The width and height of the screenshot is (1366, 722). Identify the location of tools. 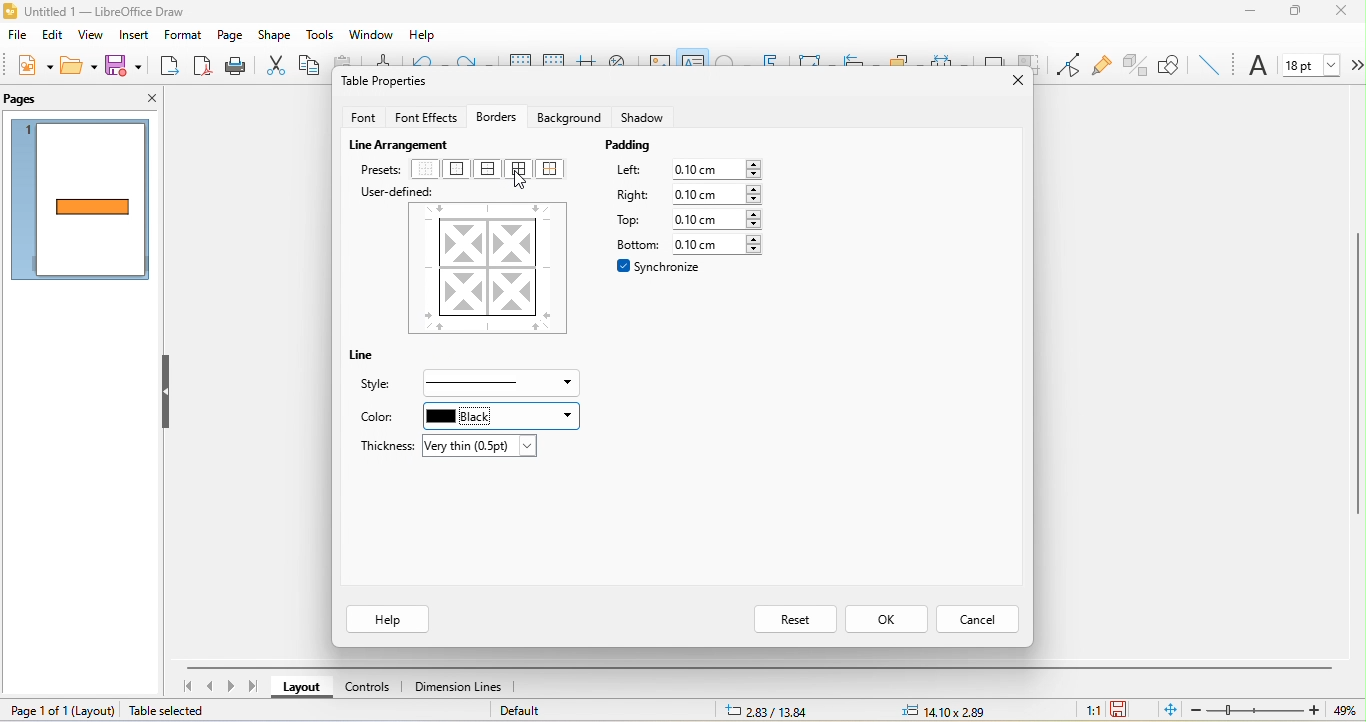
(317, 35).